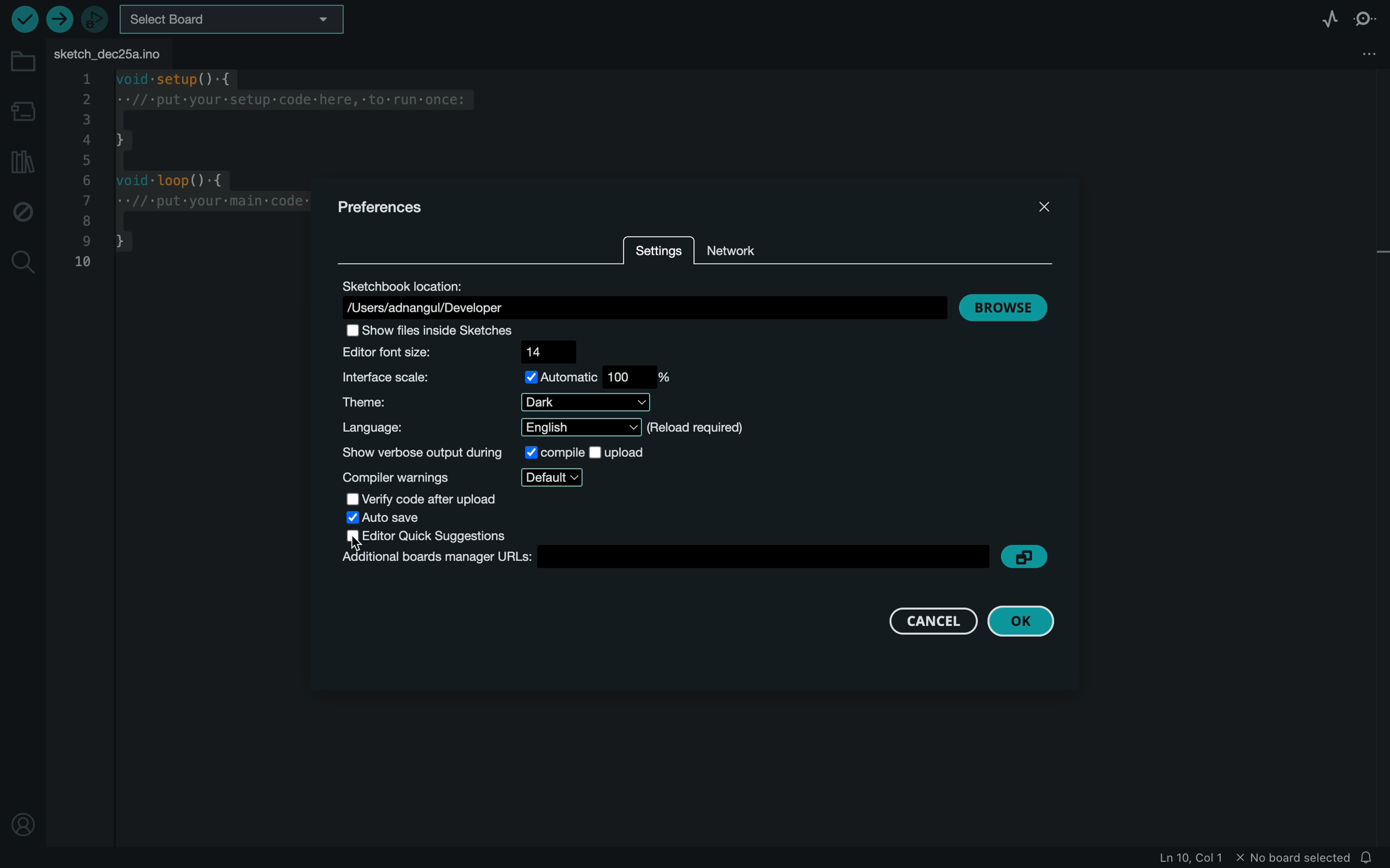 Image resolution: width=1390 pixels, height=868 pixels. What do you see at coordinates (1326, 18) in the screenshot?
I see `serial plotter` at bounding box center [1326, 18].